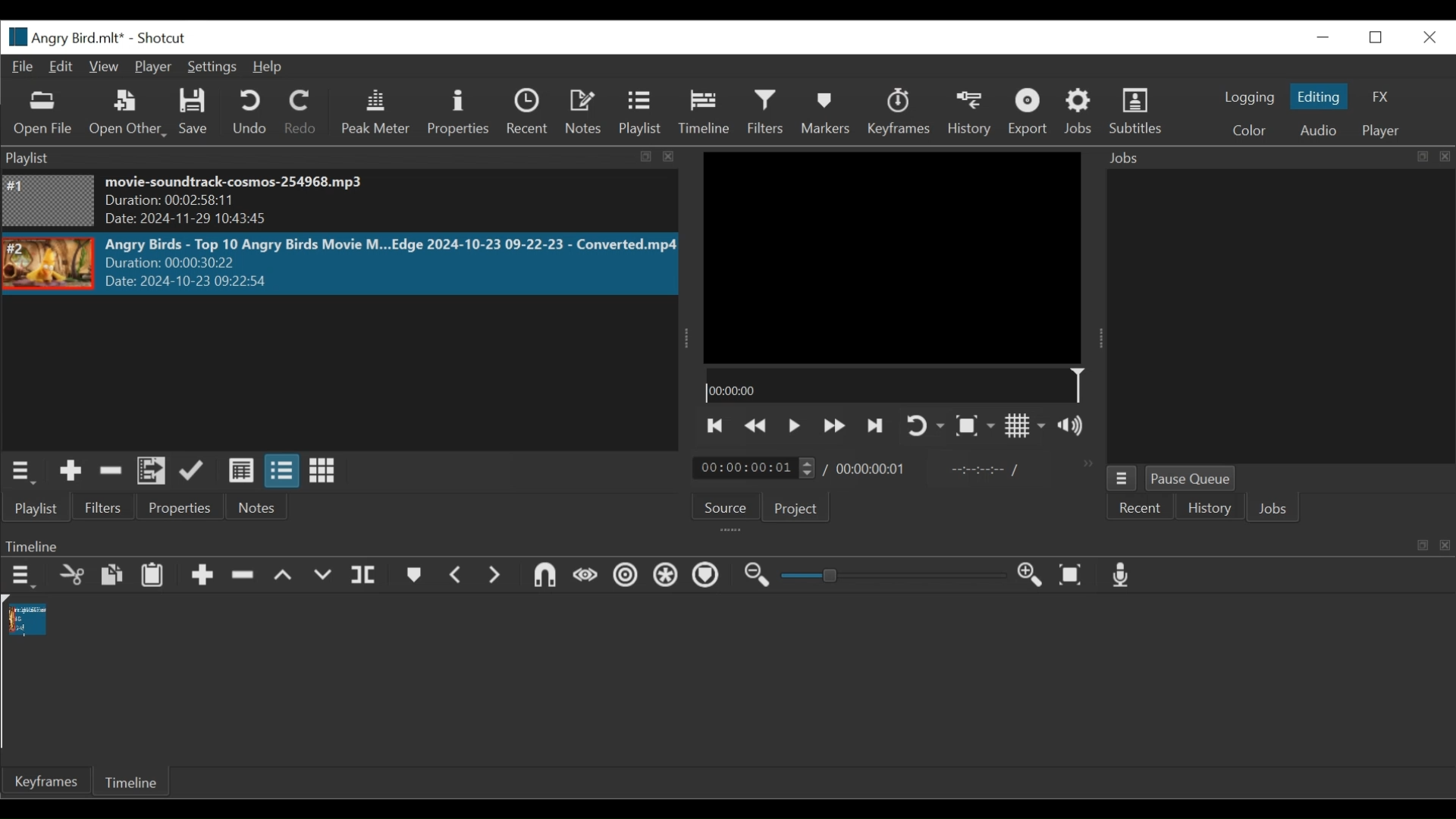 The image size is (1456, 819). What do you see at coordinates (492, 576) in the screenshot?
I see `Next Marker` at bounding box center [492, 576].